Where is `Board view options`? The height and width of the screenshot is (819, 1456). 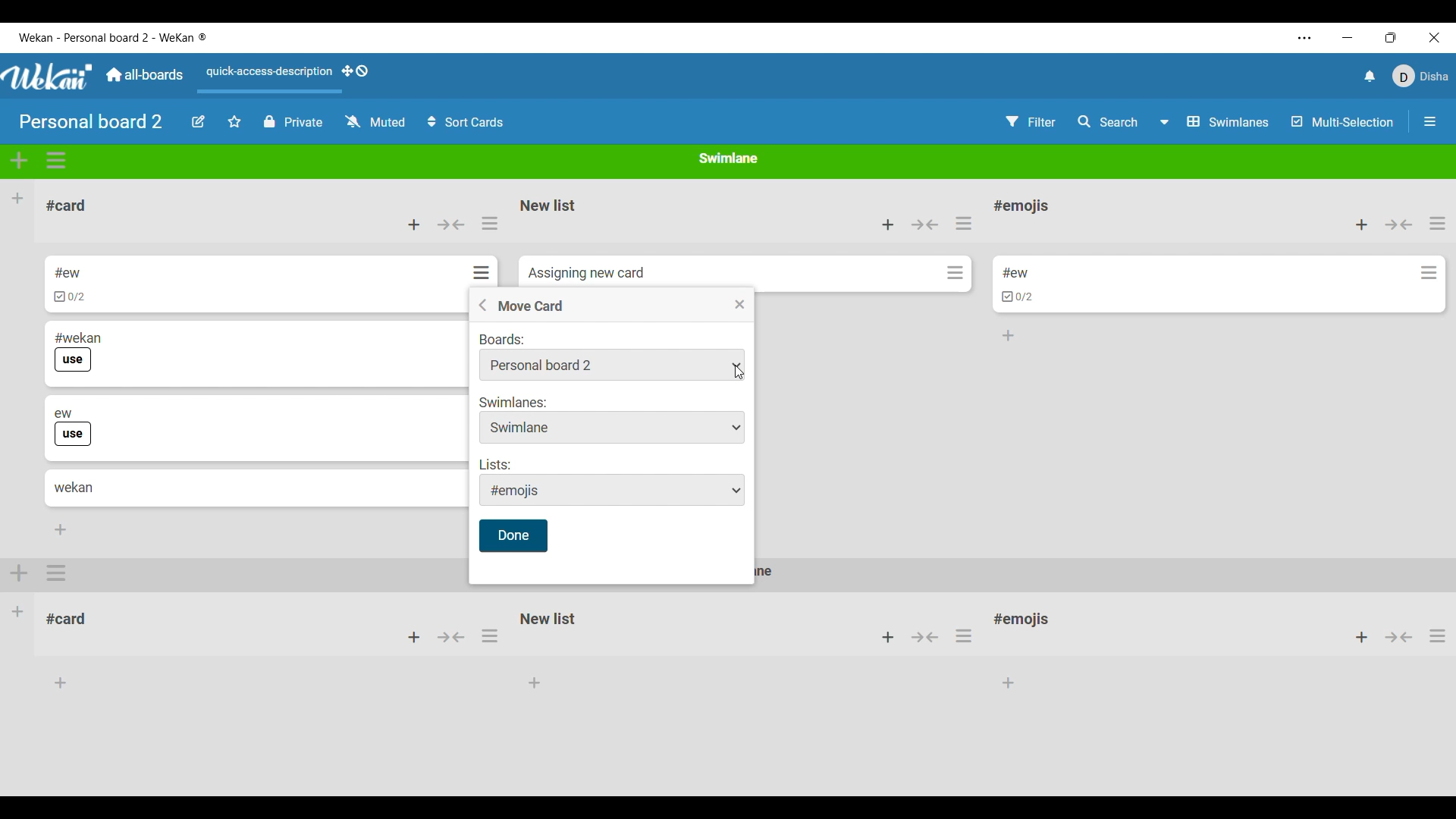 Board view options is located at coordinates (1215, 122).